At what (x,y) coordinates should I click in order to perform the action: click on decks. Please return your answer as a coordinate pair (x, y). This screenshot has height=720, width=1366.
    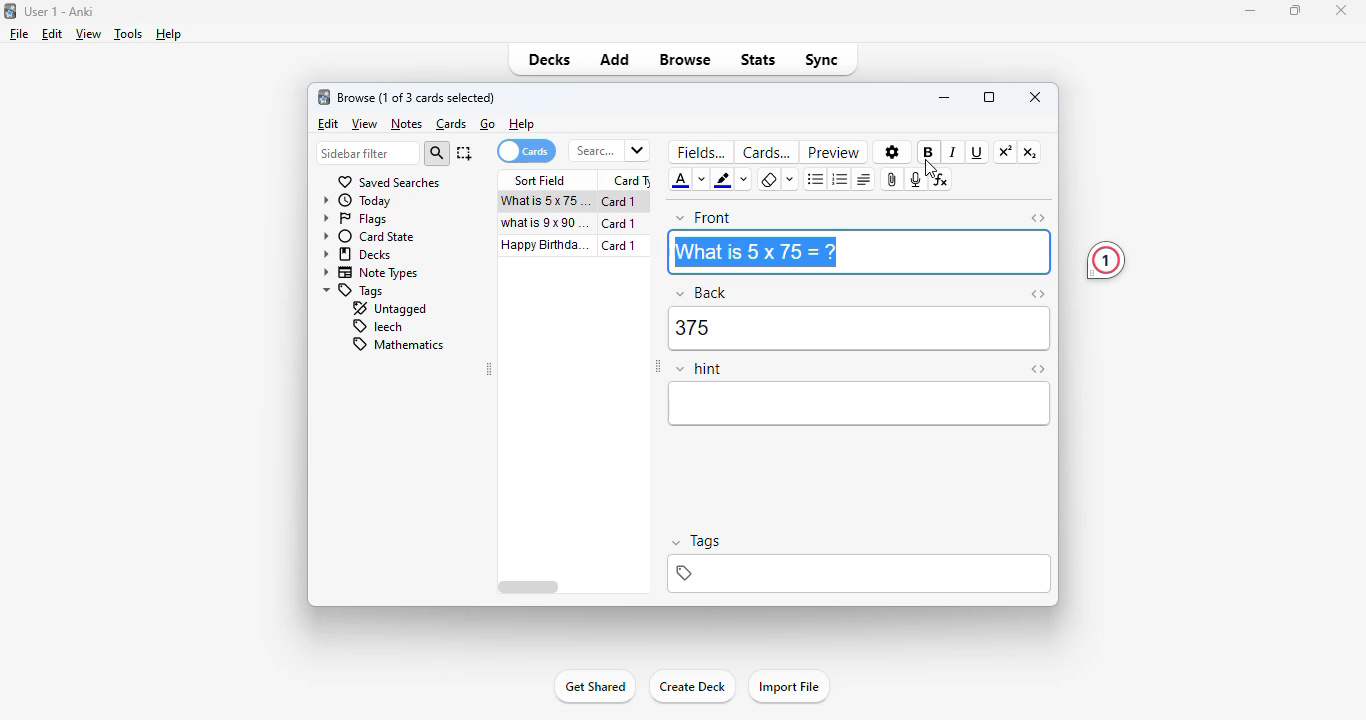
    Looking at the image, I should click on (356, 254).